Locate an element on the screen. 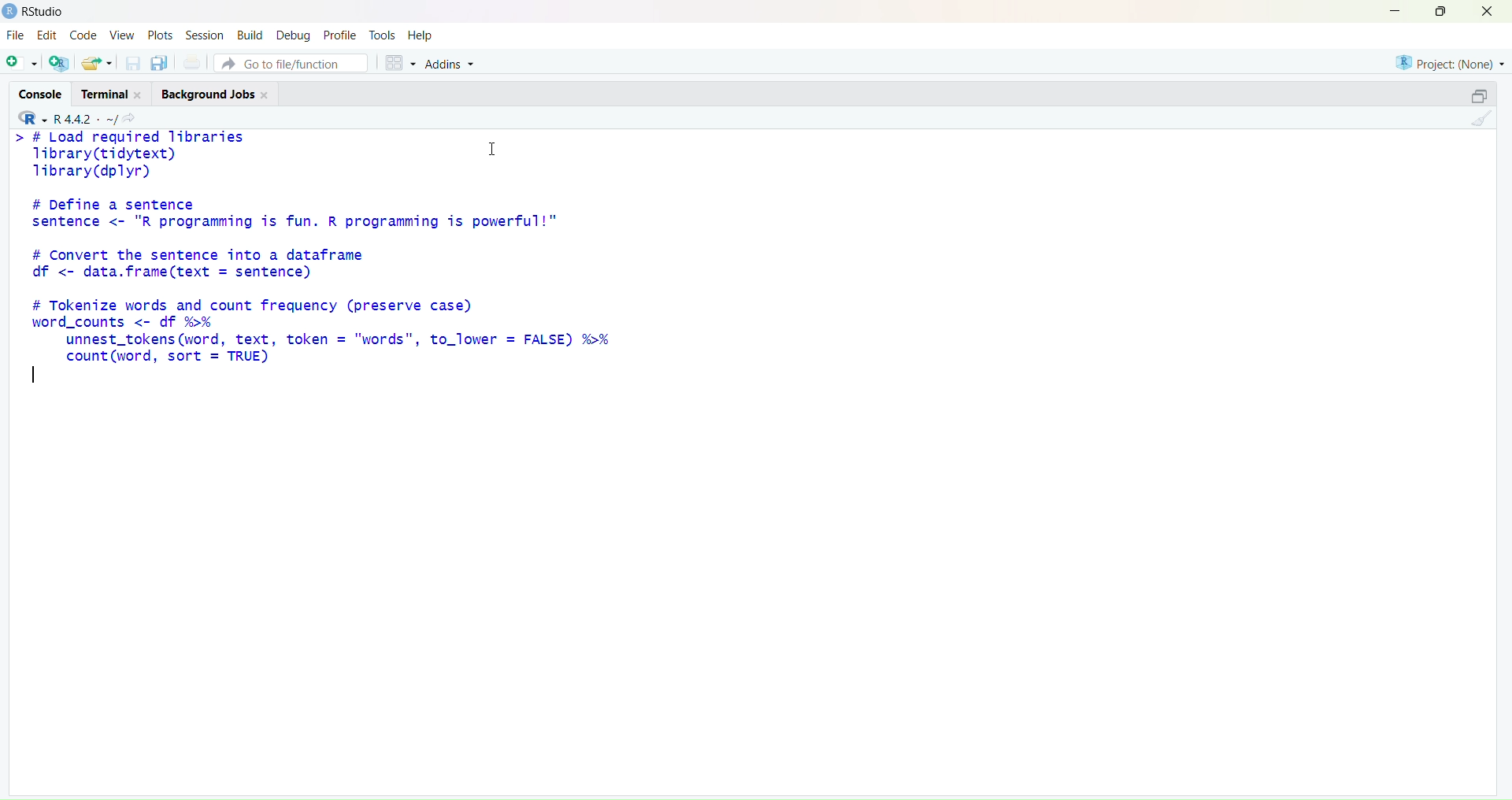 The width and height of the screenshot is (1512, 800). view is located at coordinates (124, 35).